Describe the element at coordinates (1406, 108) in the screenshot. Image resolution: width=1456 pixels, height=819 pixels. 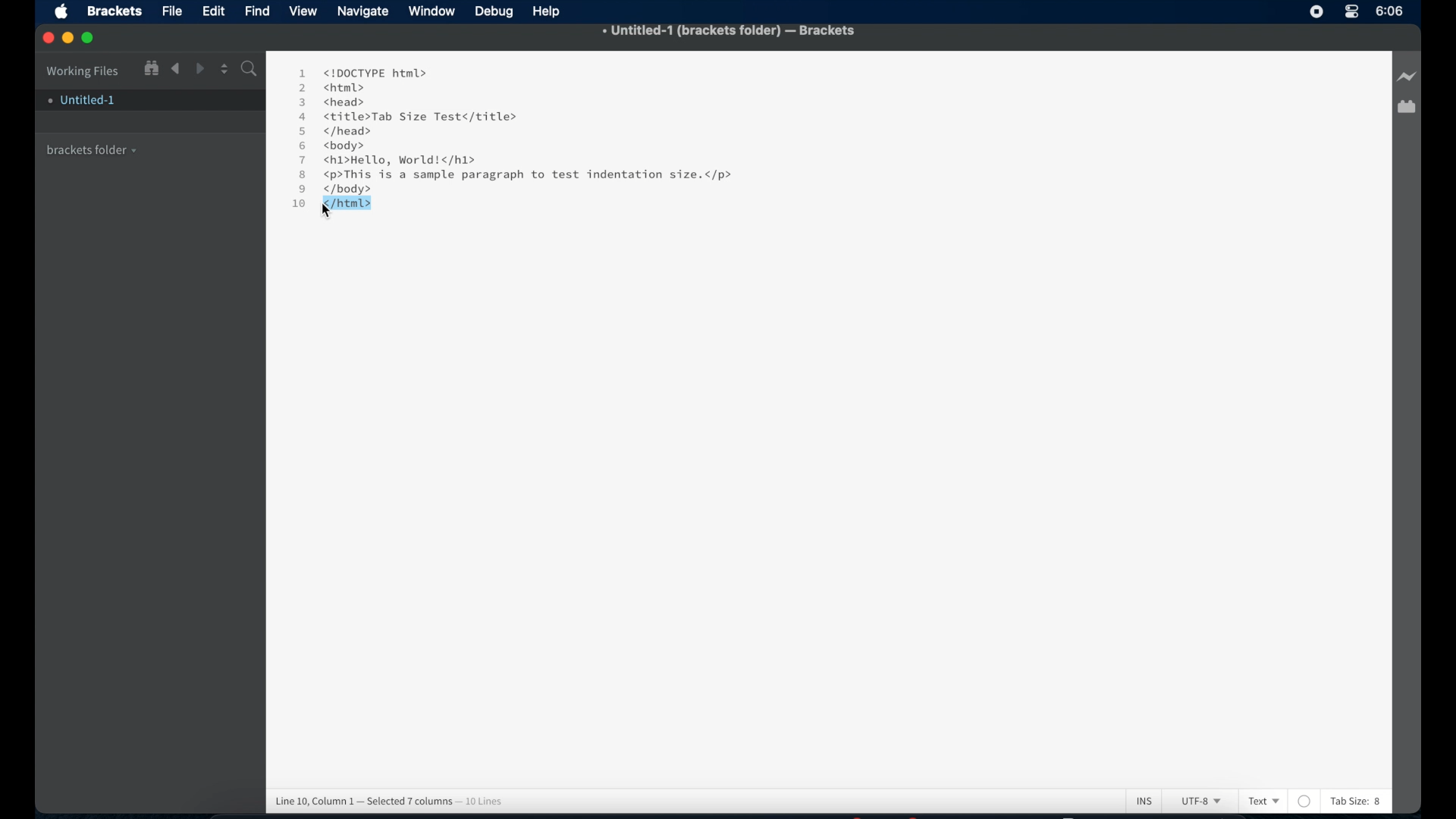
I see `Calendar` at that location.